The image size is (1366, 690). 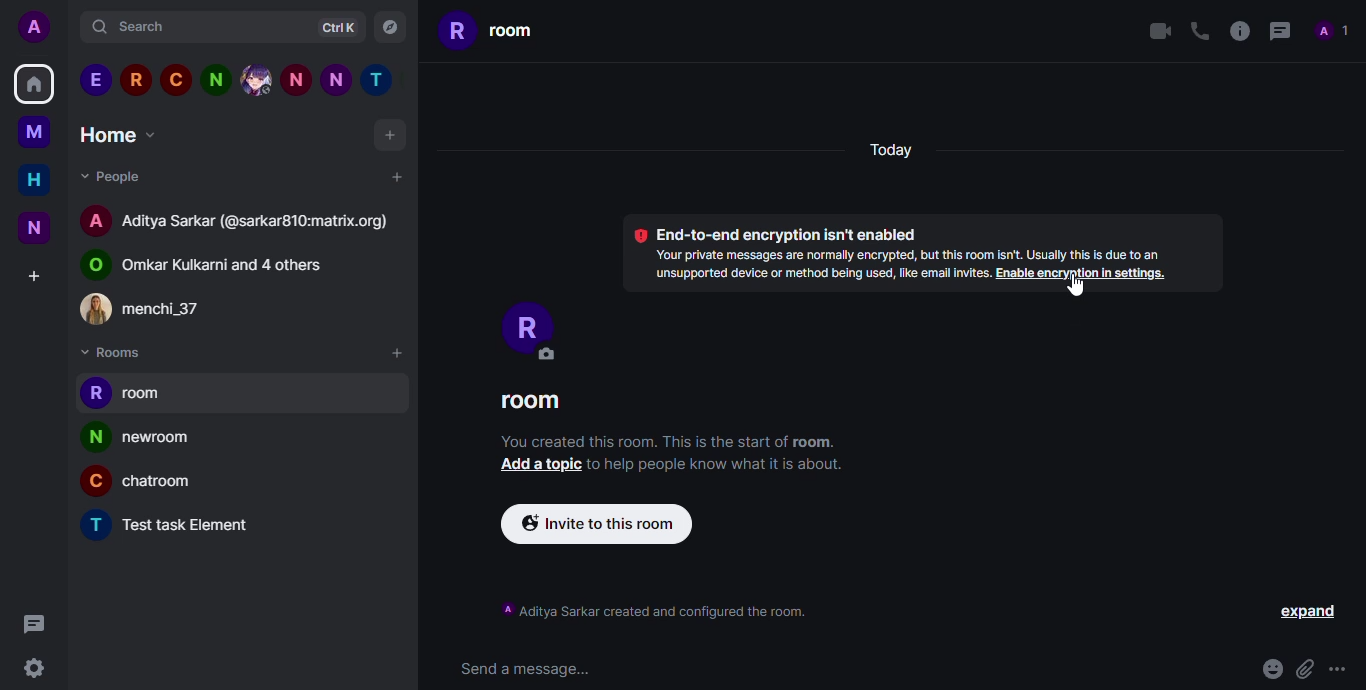 What do you see at coordinates (94, 437) in the screenshot?
I see `profile` at bounding box center [94, 437].